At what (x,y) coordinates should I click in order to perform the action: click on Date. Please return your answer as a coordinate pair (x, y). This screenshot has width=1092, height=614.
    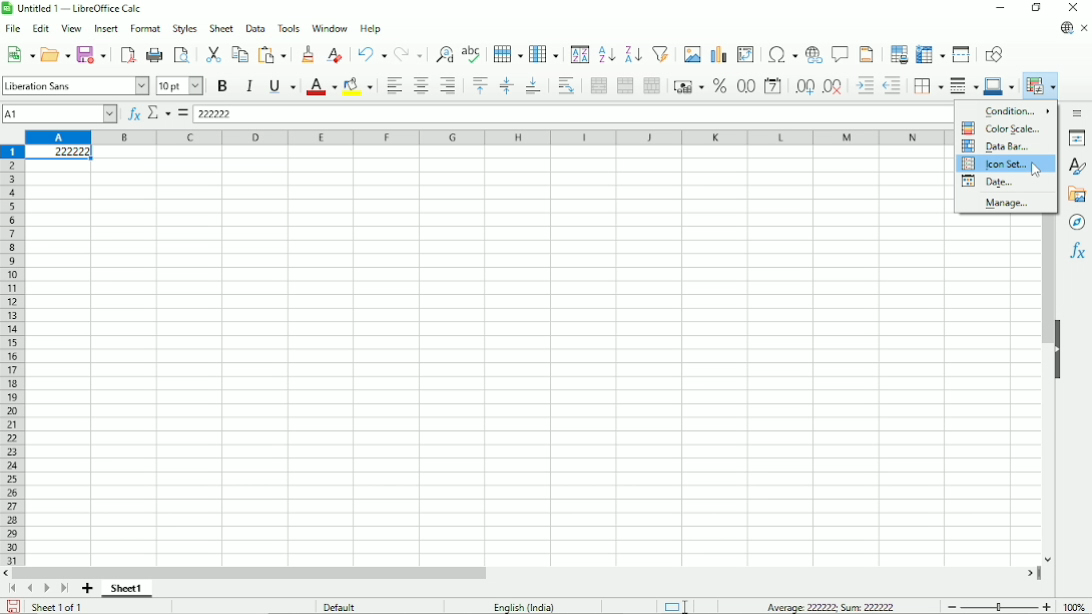
    Looking at the image, I should click on (993, 184).